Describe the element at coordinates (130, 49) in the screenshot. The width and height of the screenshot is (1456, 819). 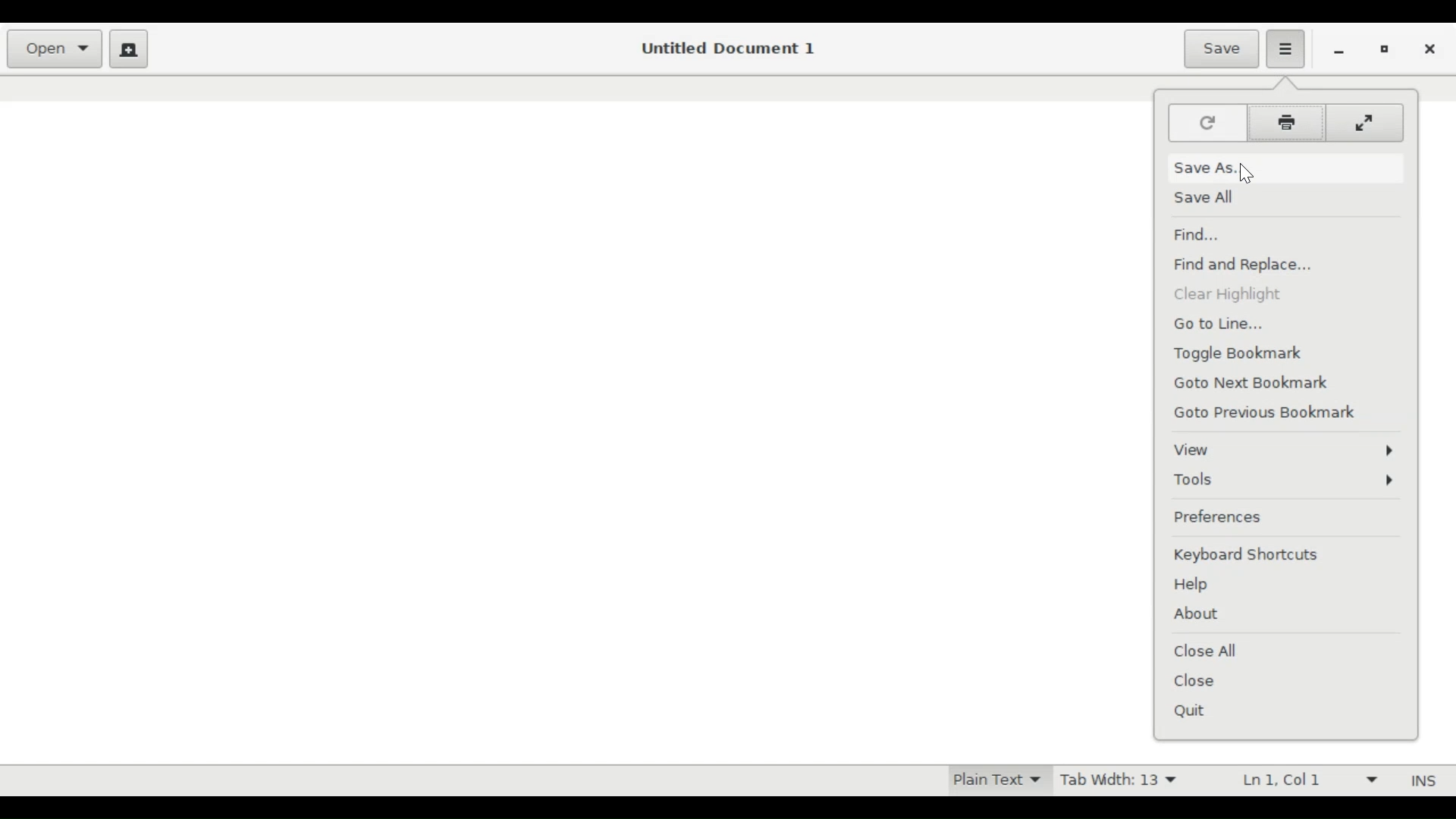
I see `Create a new document` at that location.